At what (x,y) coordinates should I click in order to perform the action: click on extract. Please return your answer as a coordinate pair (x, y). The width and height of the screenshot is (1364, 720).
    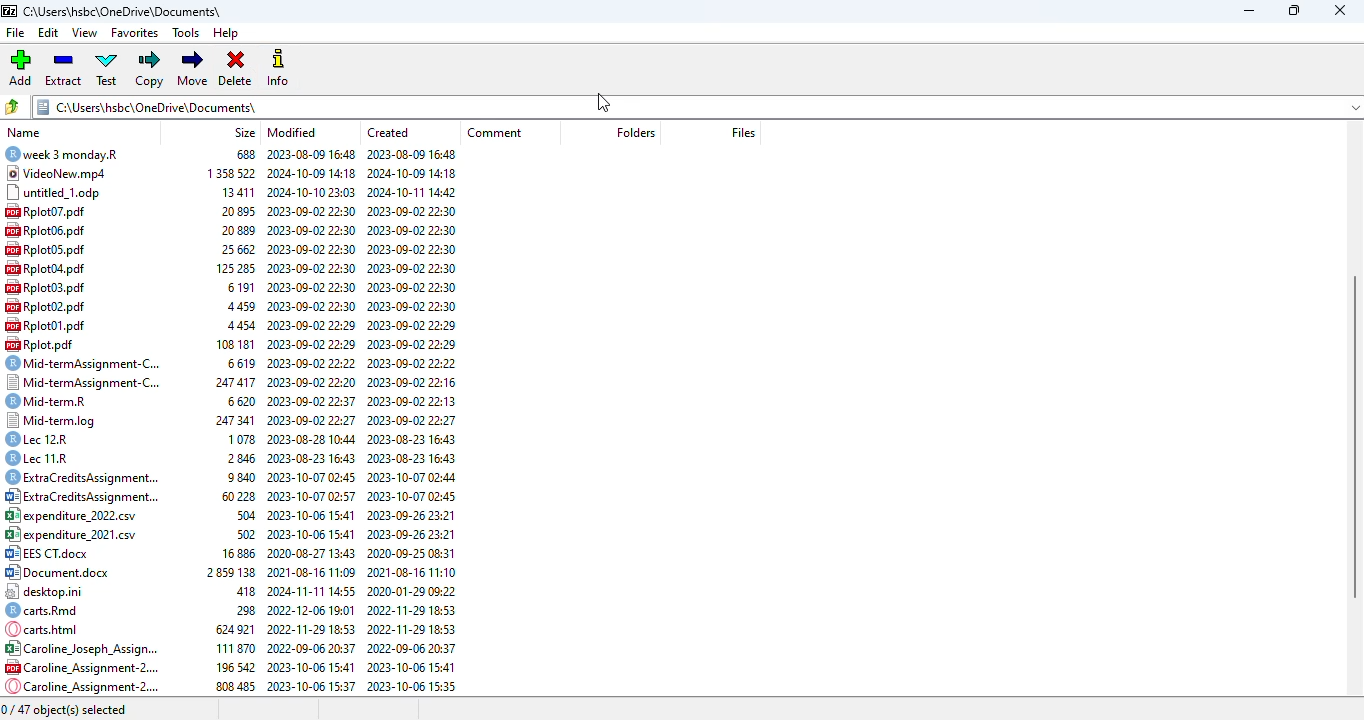
    Looking at the image, I should click on (64, 68).